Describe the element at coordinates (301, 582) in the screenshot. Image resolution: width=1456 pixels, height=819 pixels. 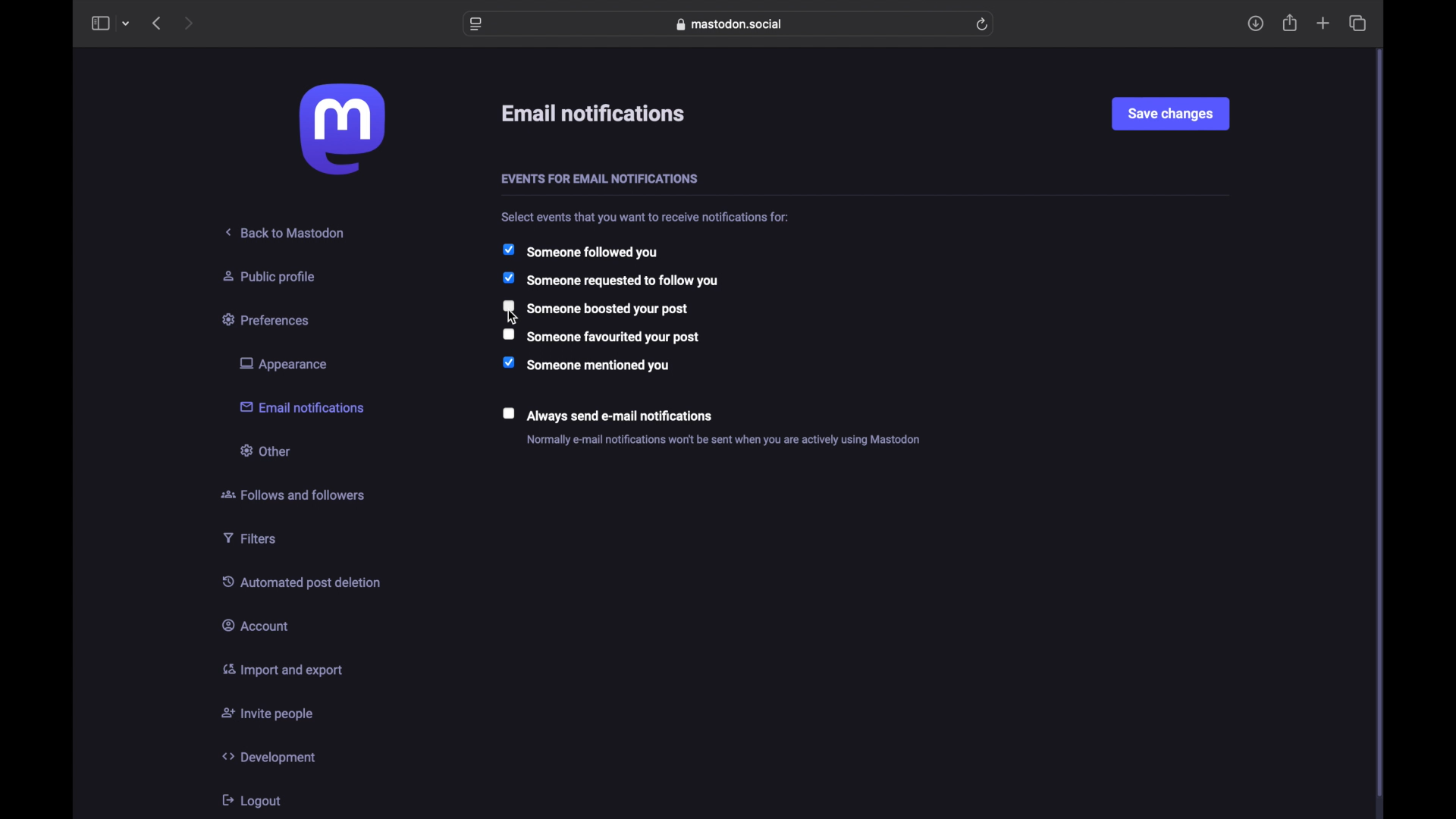
I see `automated post deletion` at that location.